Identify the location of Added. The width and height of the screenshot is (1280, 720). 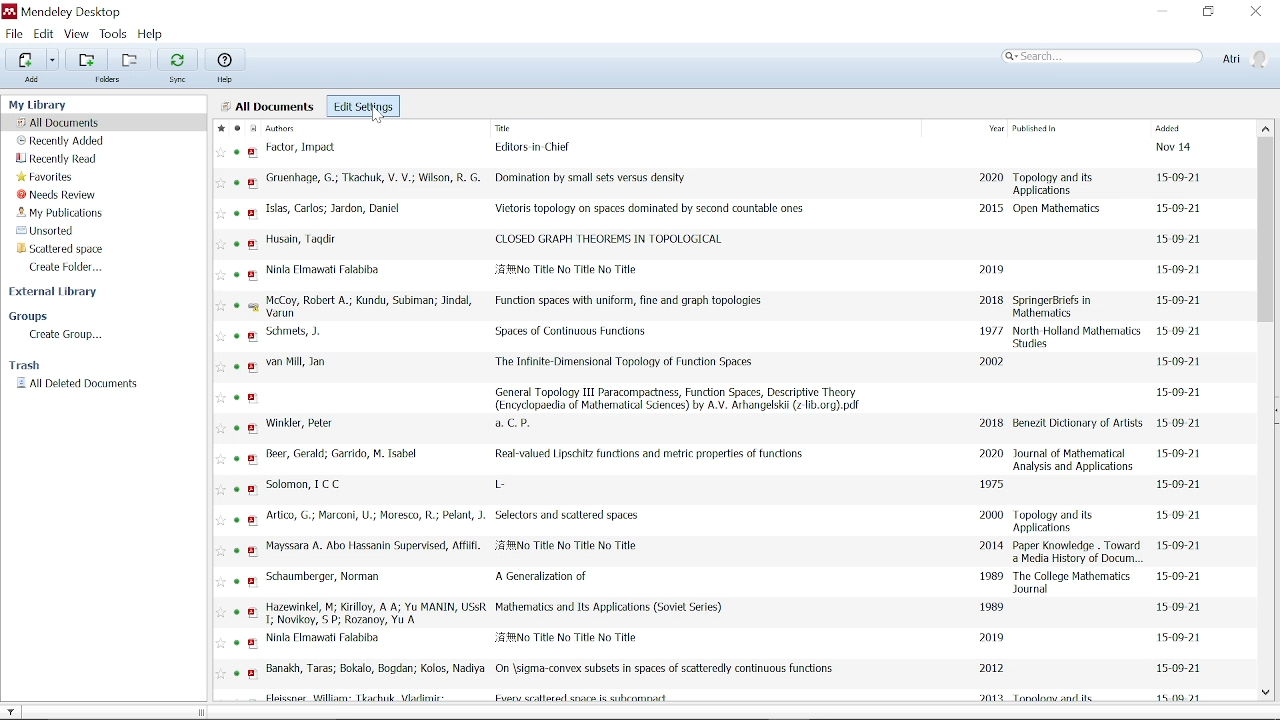
(1171, 128).